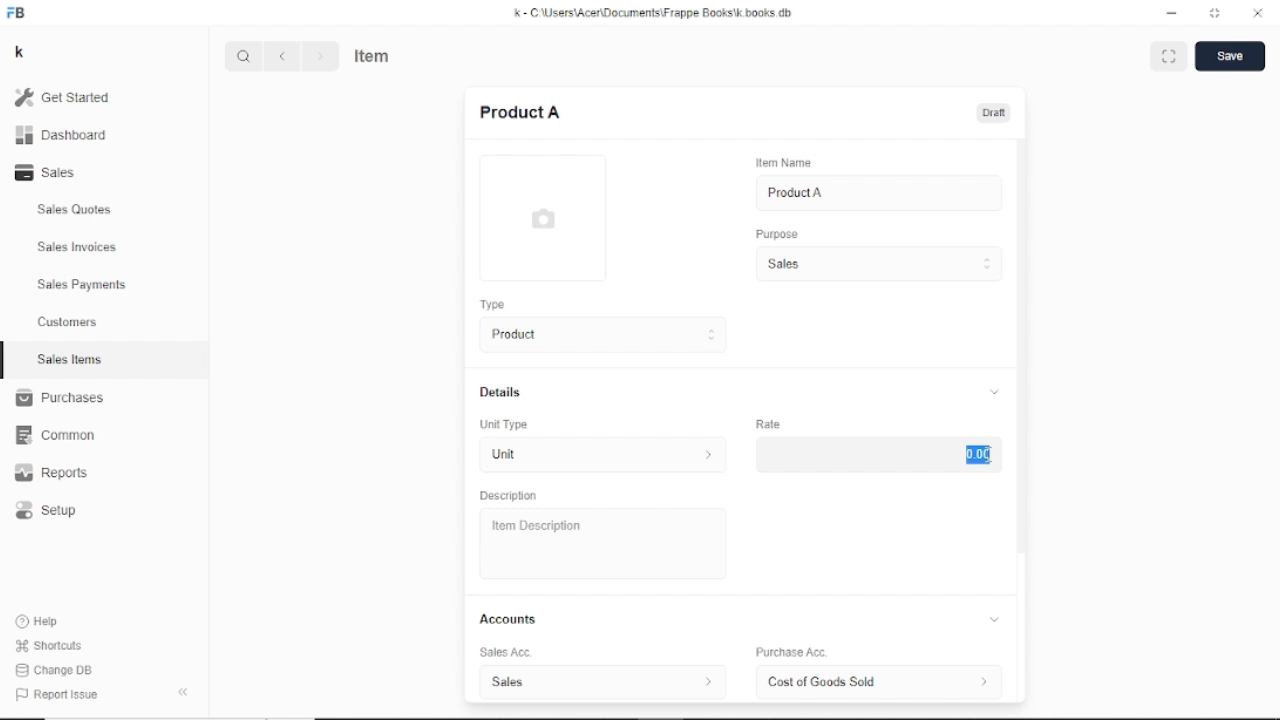  What do you see at coordinates (657, 13) in the screenshot?
I see `K -C\Users\Acer\Documents\ Frappe Books\k books db` at bounding box center [657, 13].